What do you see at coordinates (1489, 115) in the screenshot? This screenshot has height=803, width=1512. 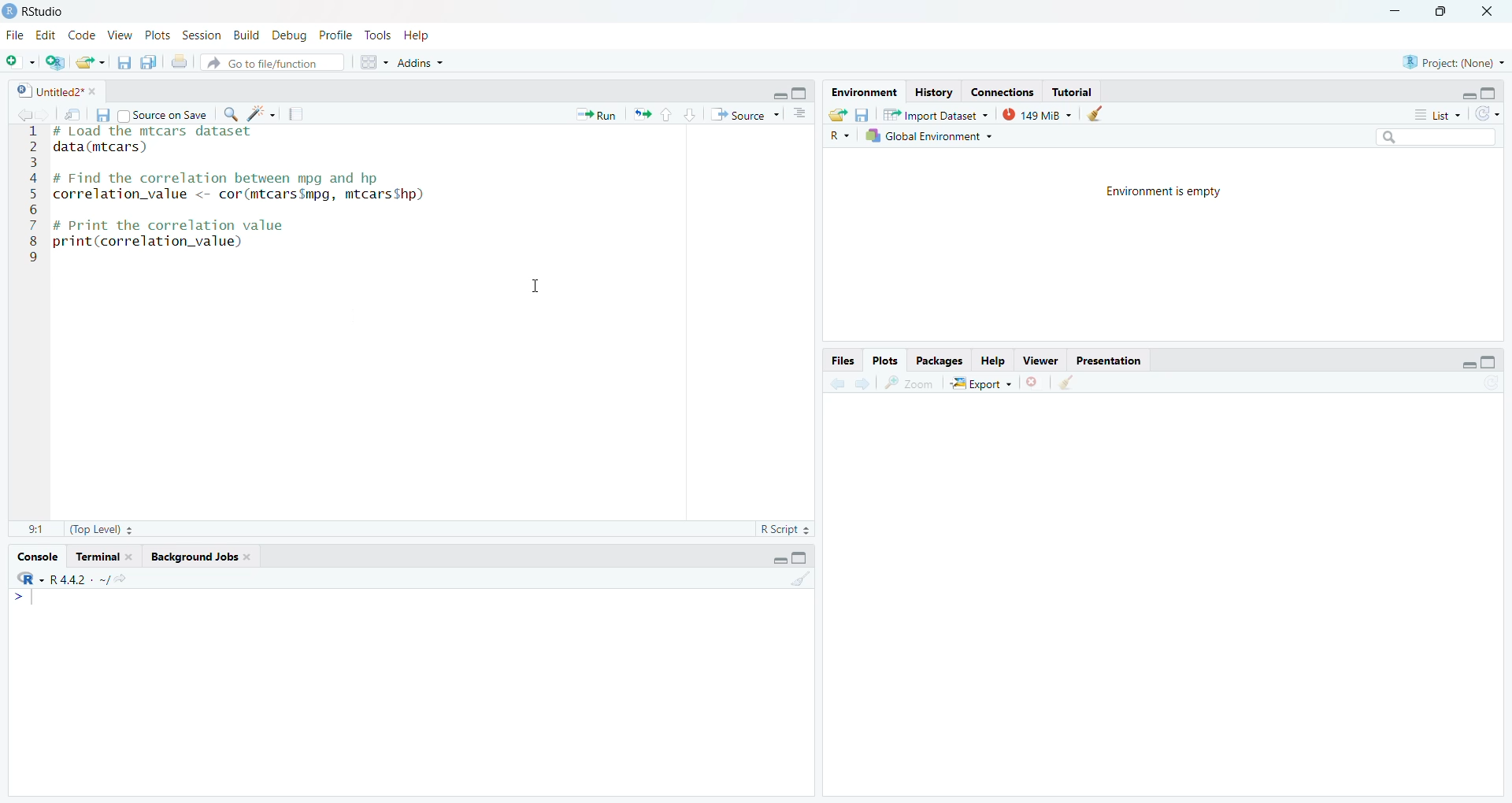 I see `Refresh the list of objects in the environment` at bounding box center [1489, 115].